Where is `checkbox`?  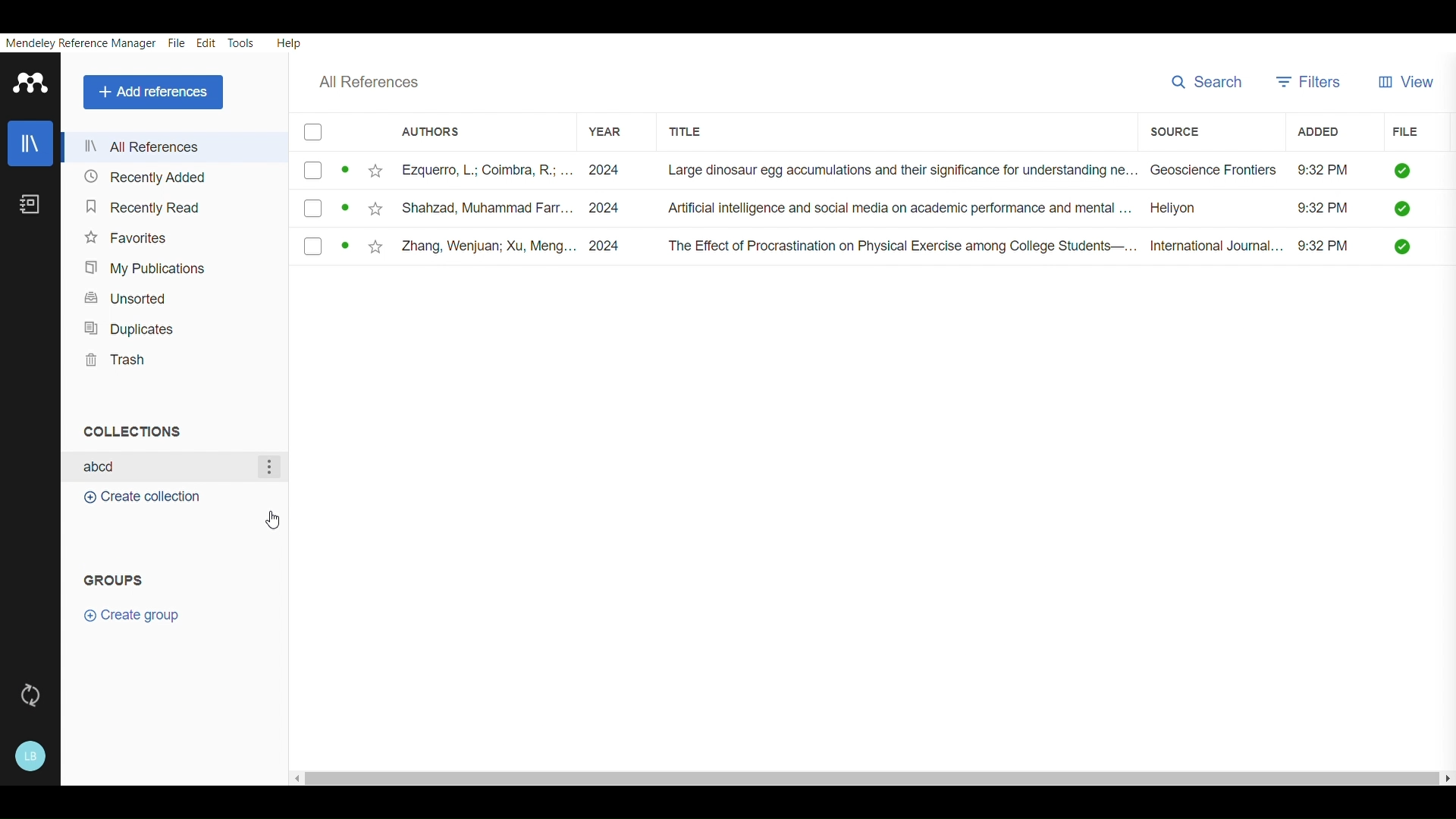
checkbox is located at coordinates (326, 206).